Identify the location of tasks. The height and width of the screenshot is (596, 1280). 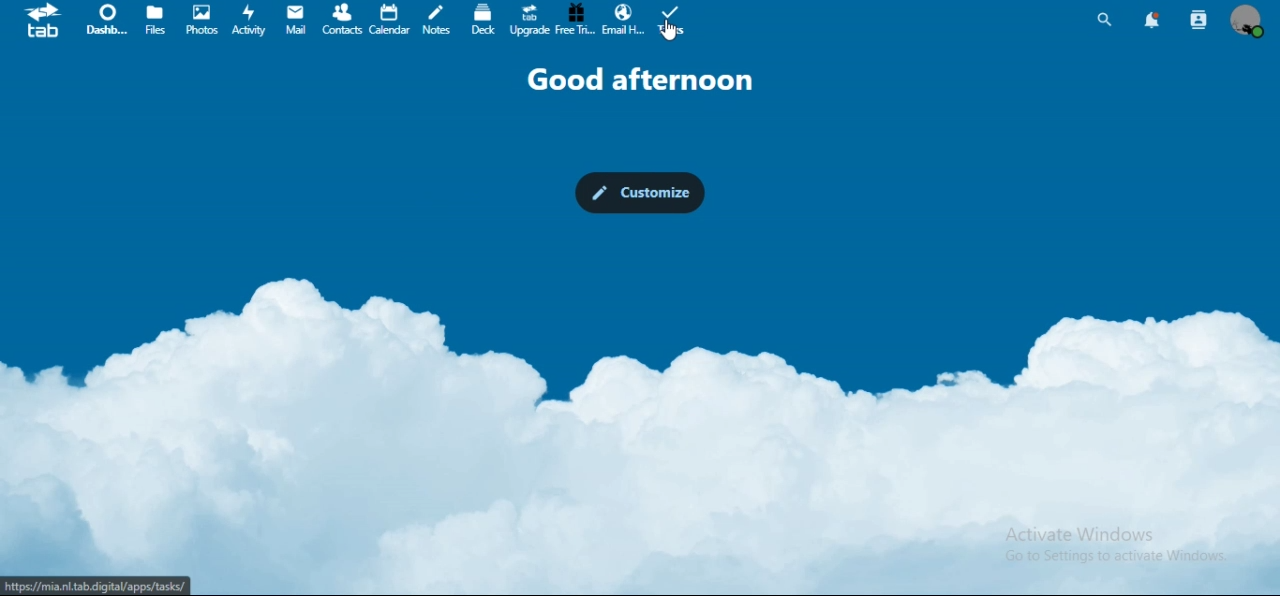
(672, 24).